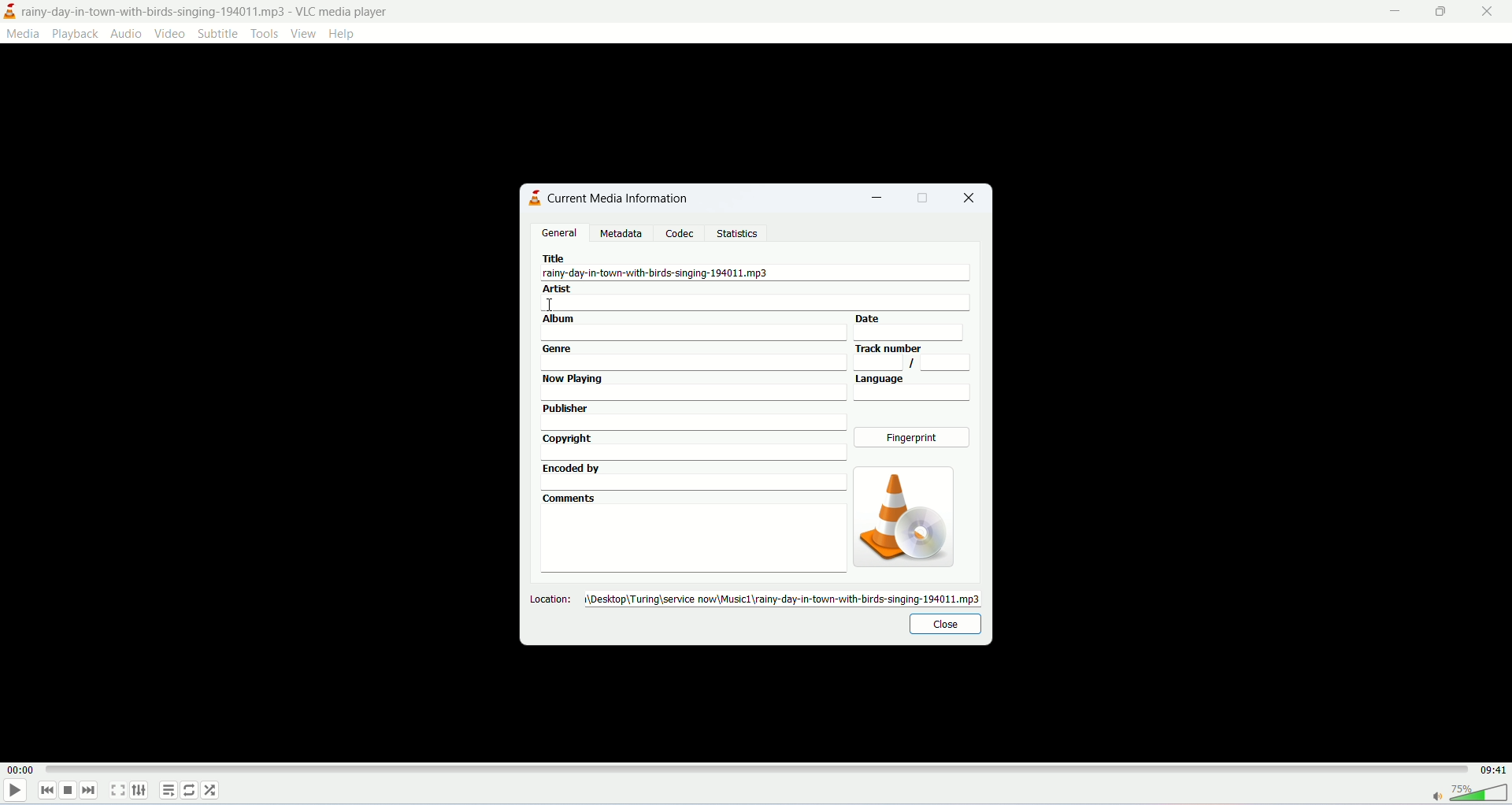 The image size is (1512, 805). What do you see at coordinates (621, 234) in the screenshot?
I see `metadata` at bounding box center [621, 234].